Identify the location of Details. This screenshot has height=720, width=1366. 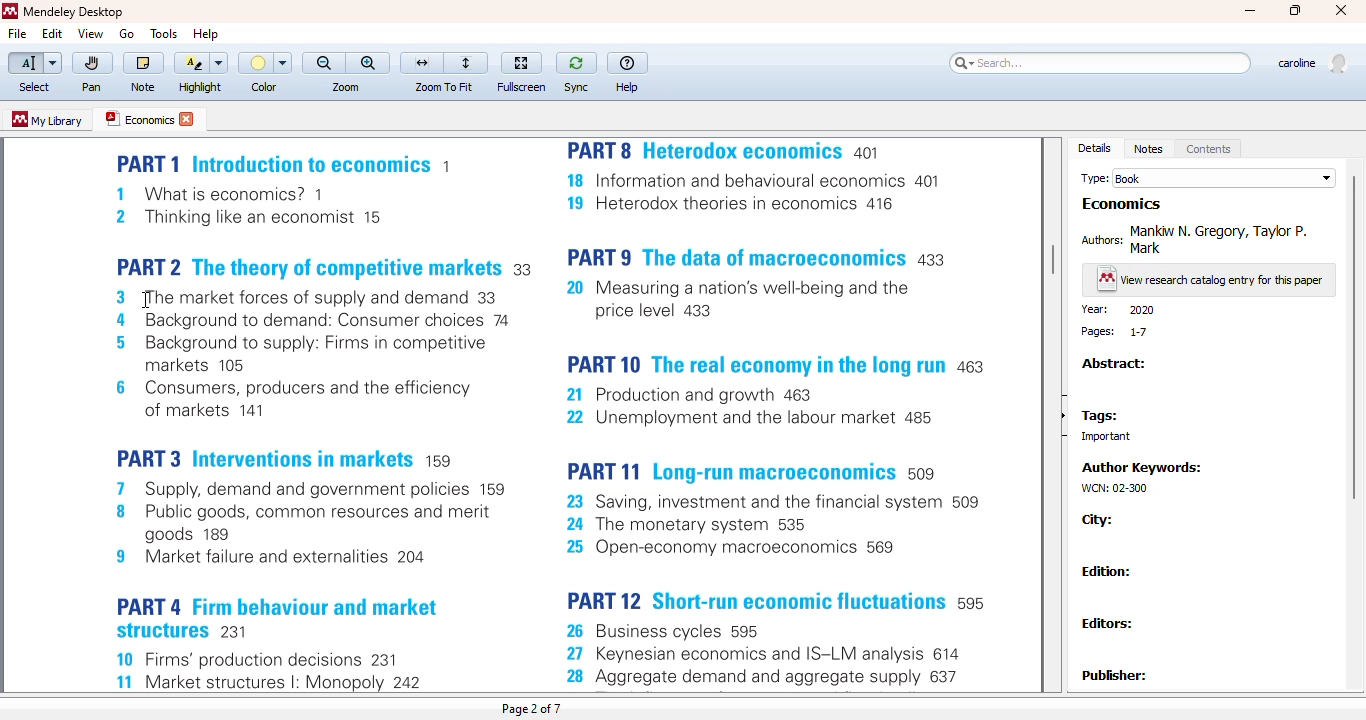
(1095, 147).